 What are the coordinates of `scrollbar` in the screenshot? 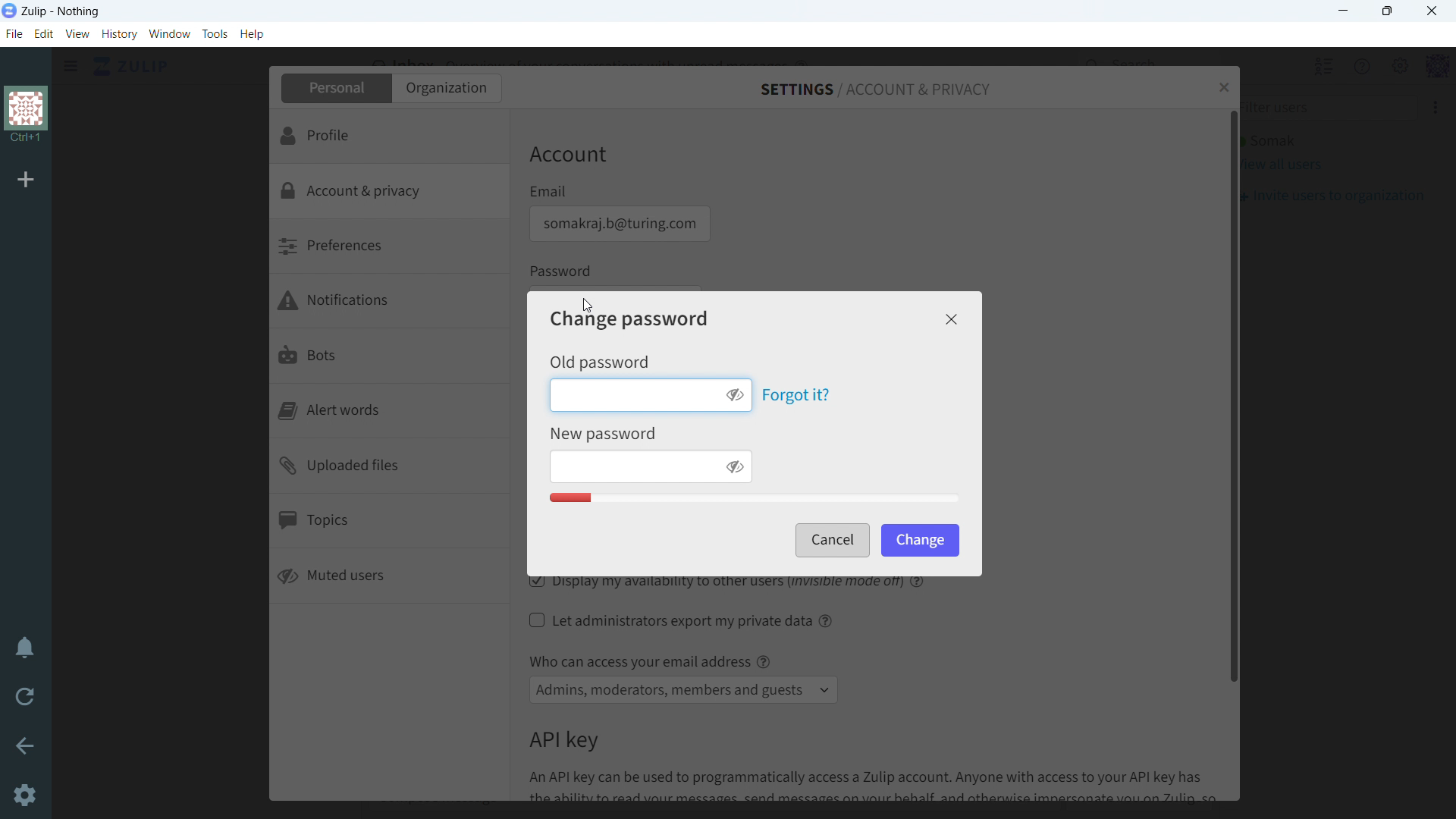 It's located at (1235, 394).